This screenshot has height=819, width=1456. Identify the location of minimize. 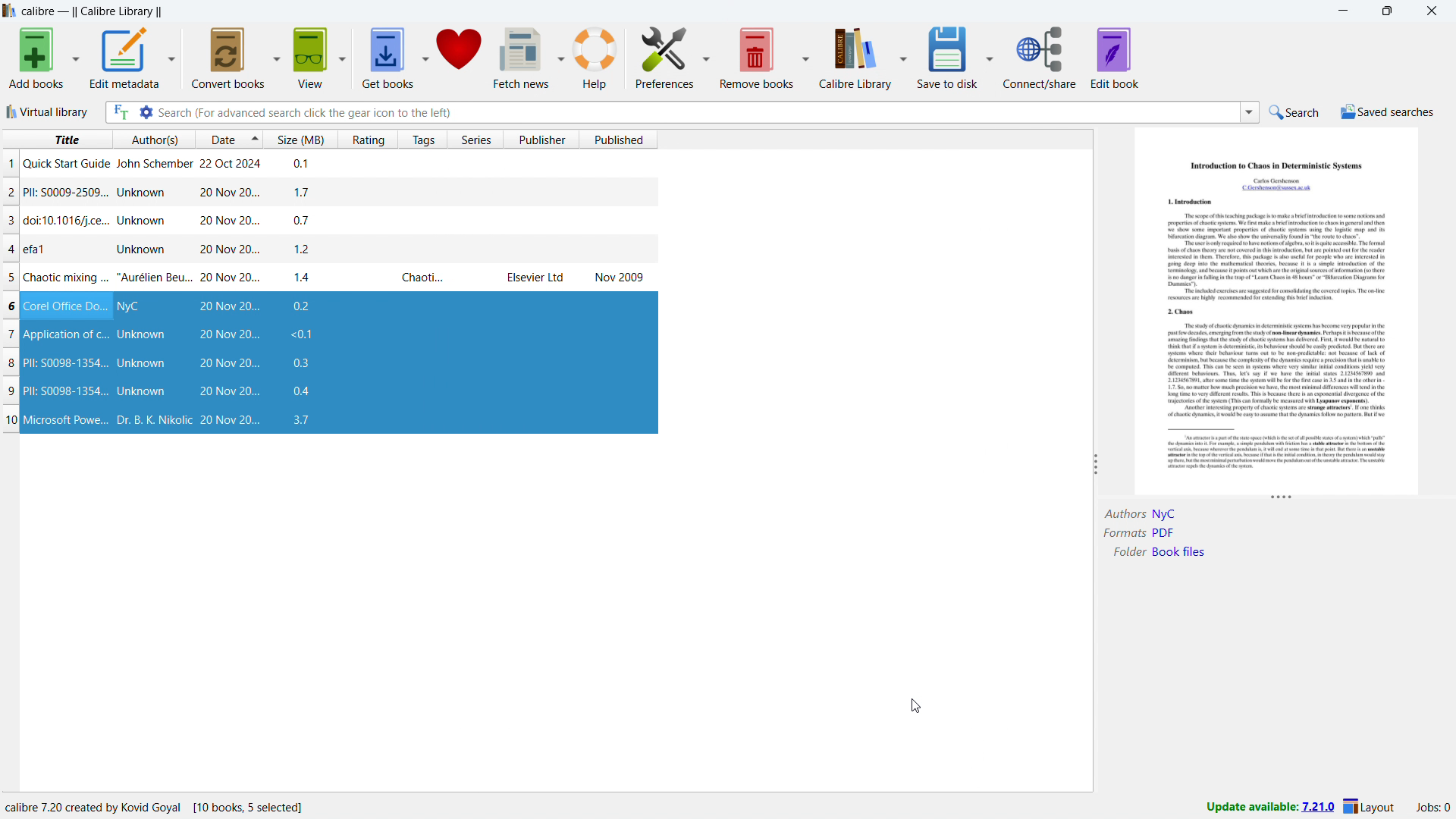
(1342, 11).